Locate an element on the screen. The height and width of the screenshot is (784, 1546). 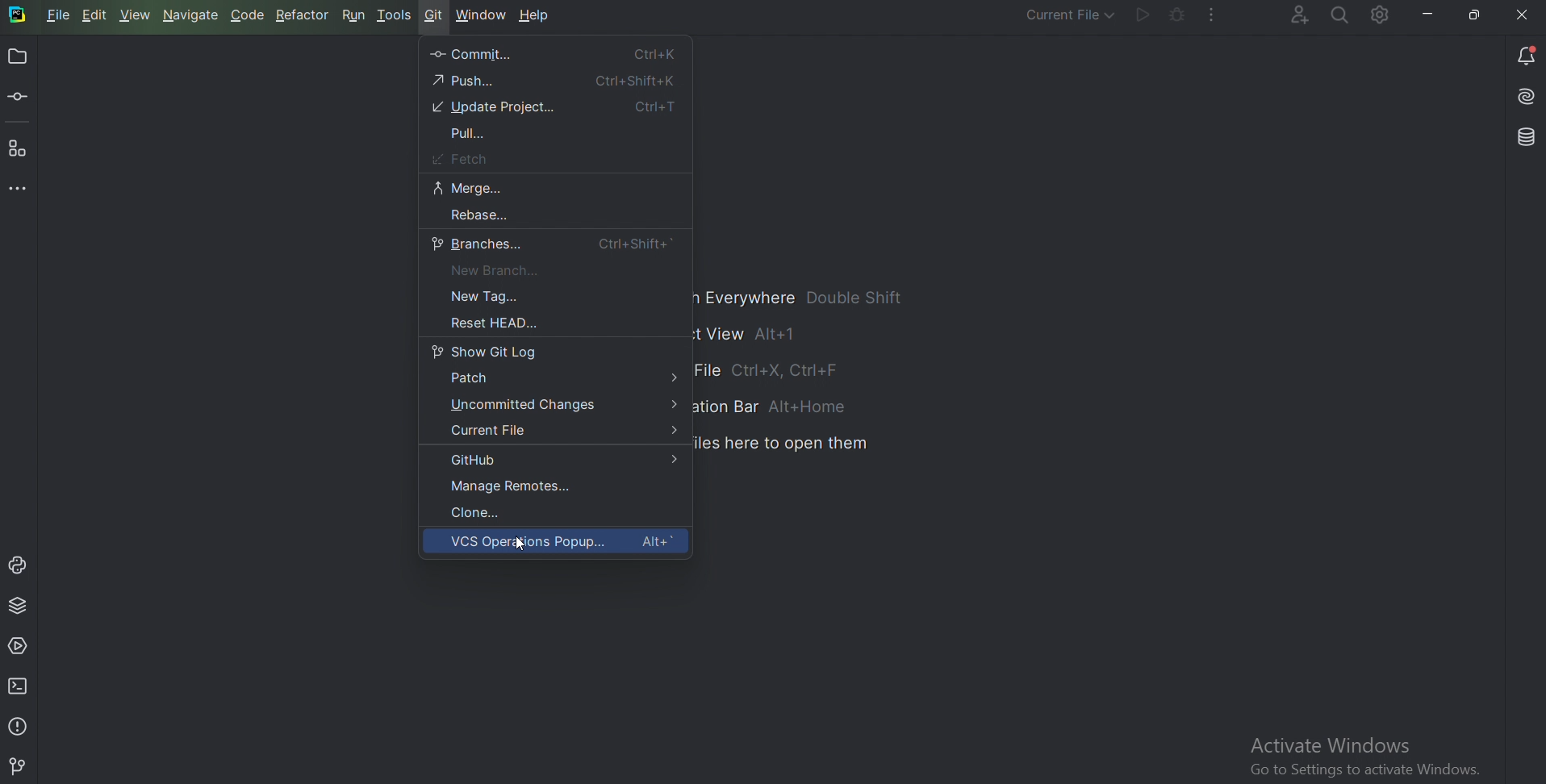
Terminal is located at coordinates (21, 686).